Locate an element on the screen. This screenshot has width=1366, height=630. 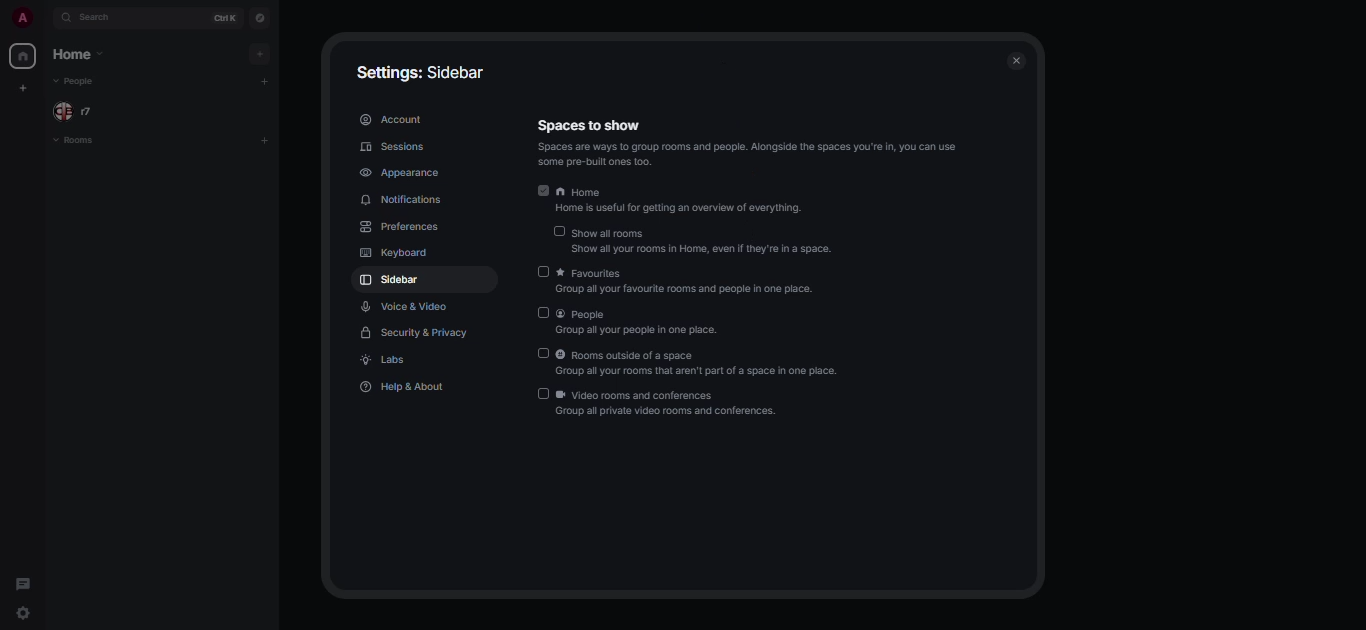
quick settings is located at coordinates (28, 617).